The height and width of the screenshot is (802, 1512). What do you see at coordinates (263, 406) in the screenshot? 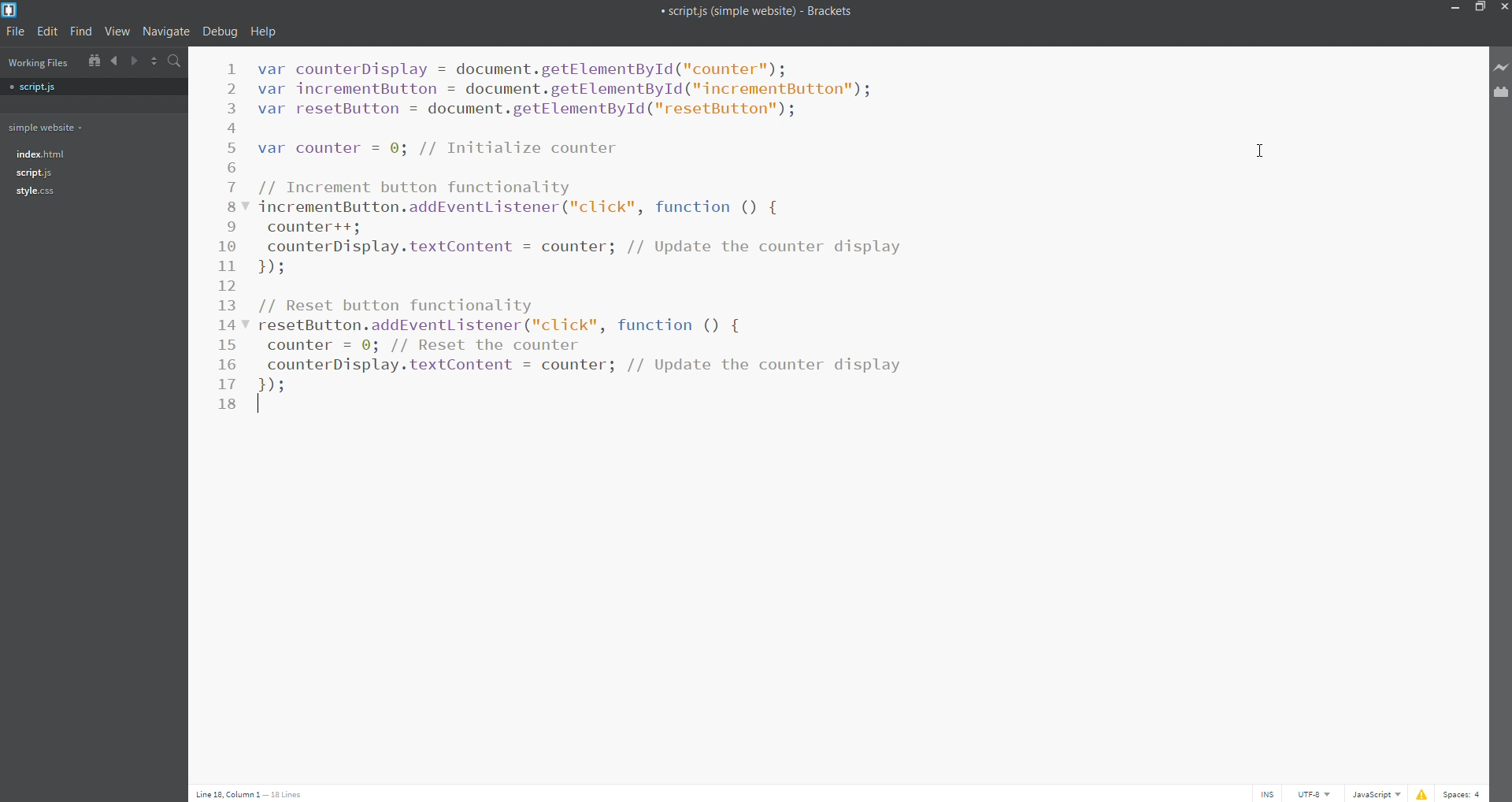
I see `Text Cursor ` at bounding box center [263, 406].